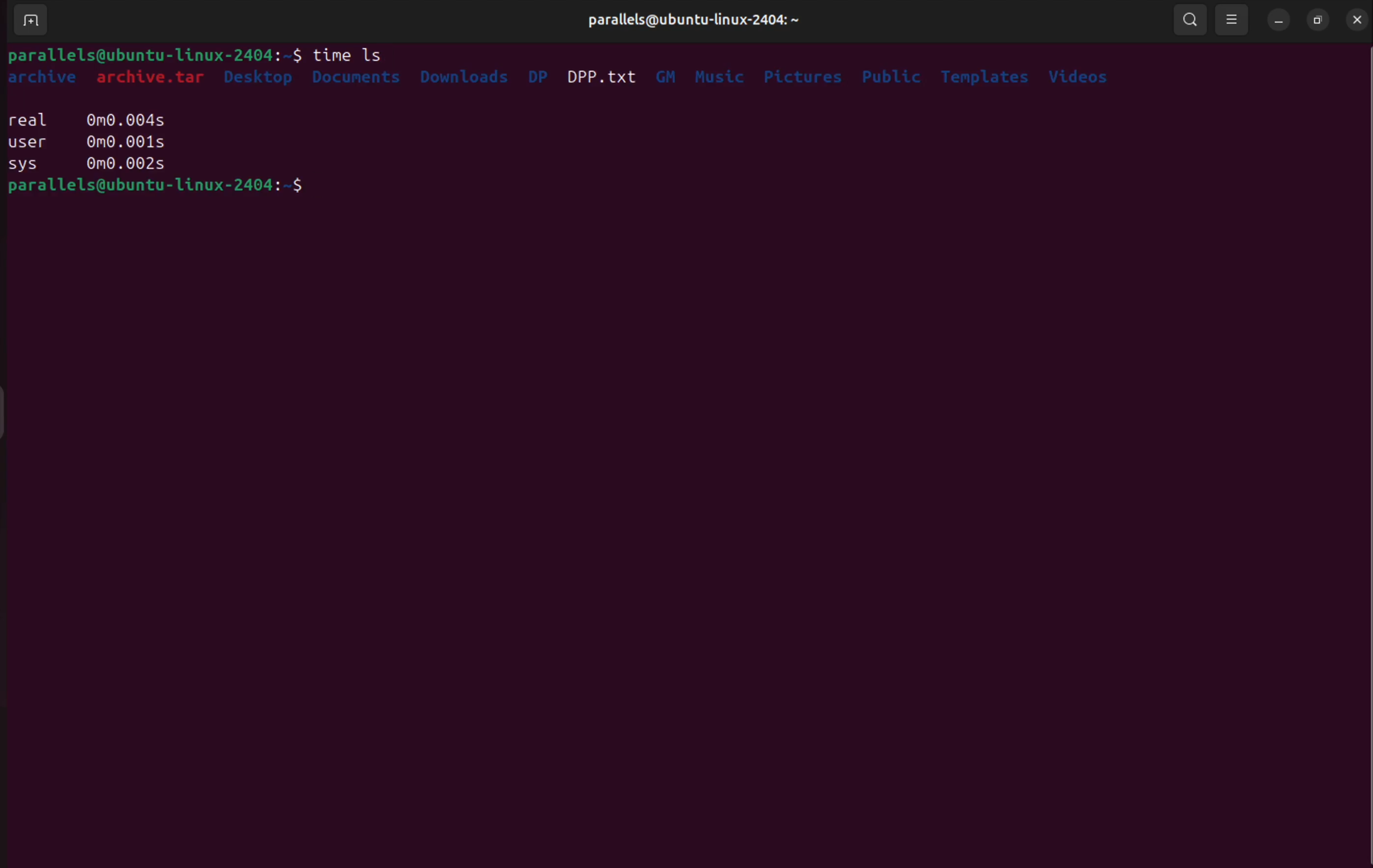 The height and width of the screenshot is (868, 1373). What do you see at coordinates (537, 76) in the screenshot?
I see `DP` at bounding box center [537, 76].